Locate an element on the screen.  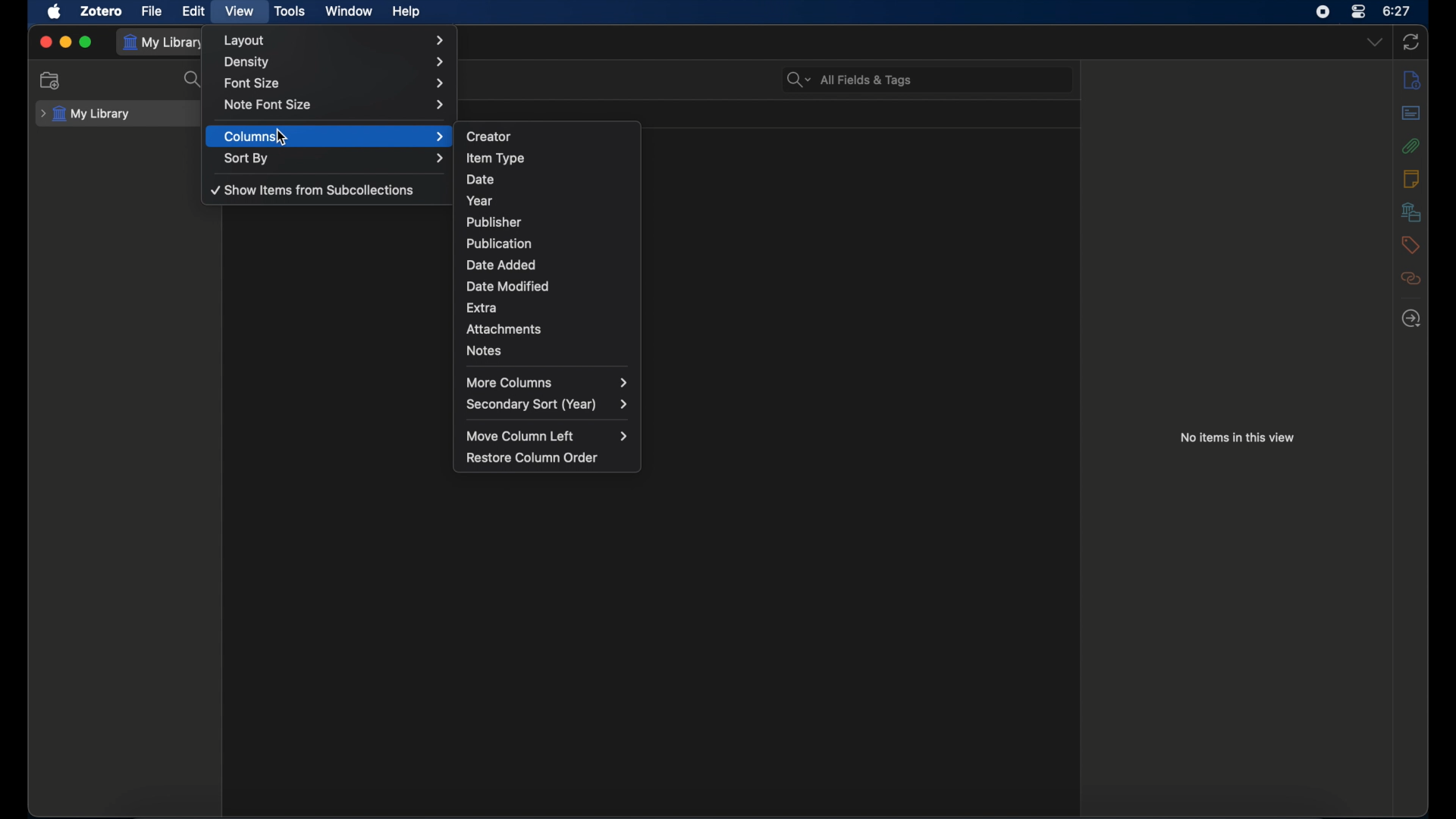
related is located at coordinates (1410, 278).